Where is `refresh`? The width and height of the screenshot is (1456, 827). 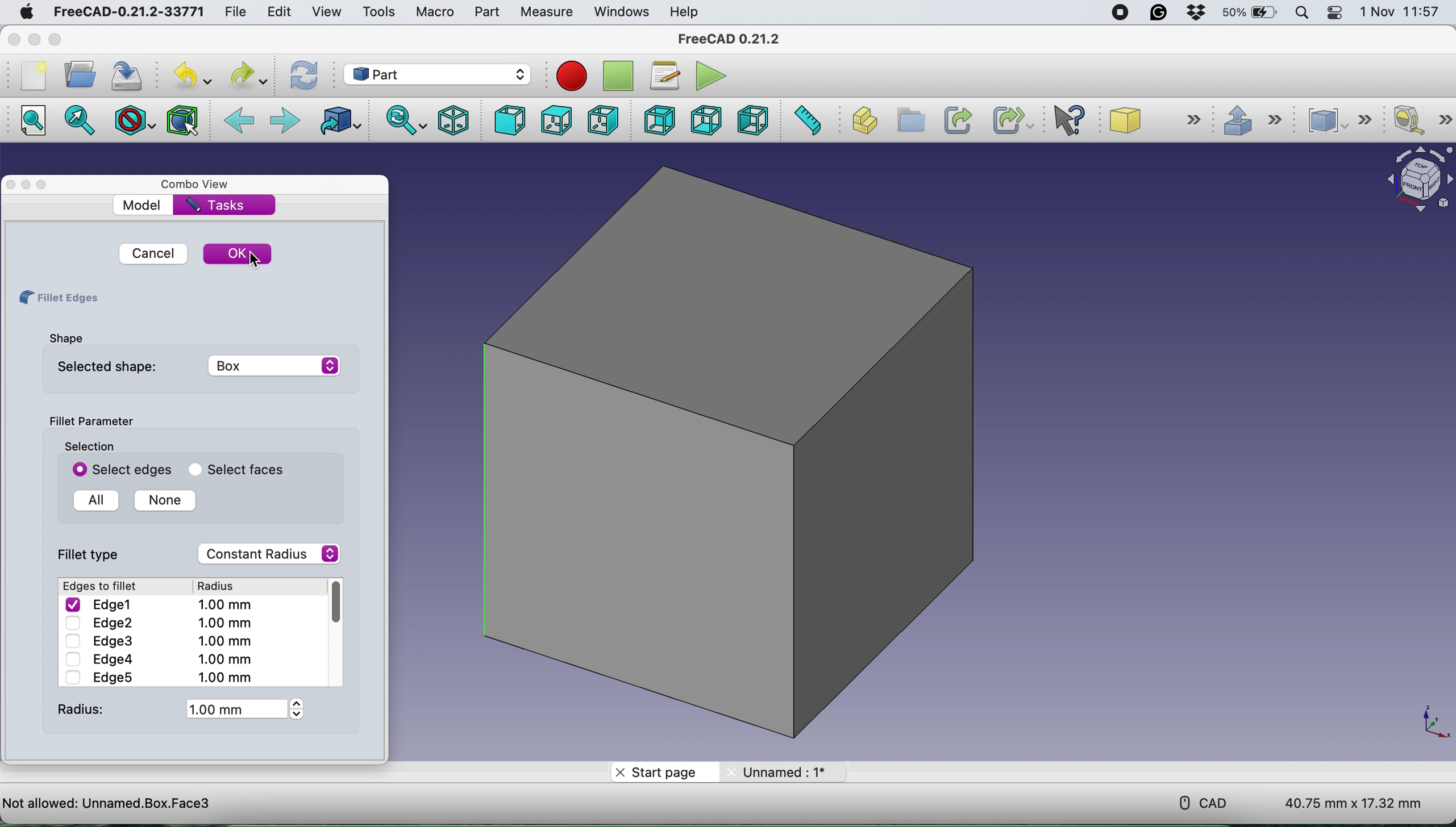 refresh is located at coordinates (302, 76).